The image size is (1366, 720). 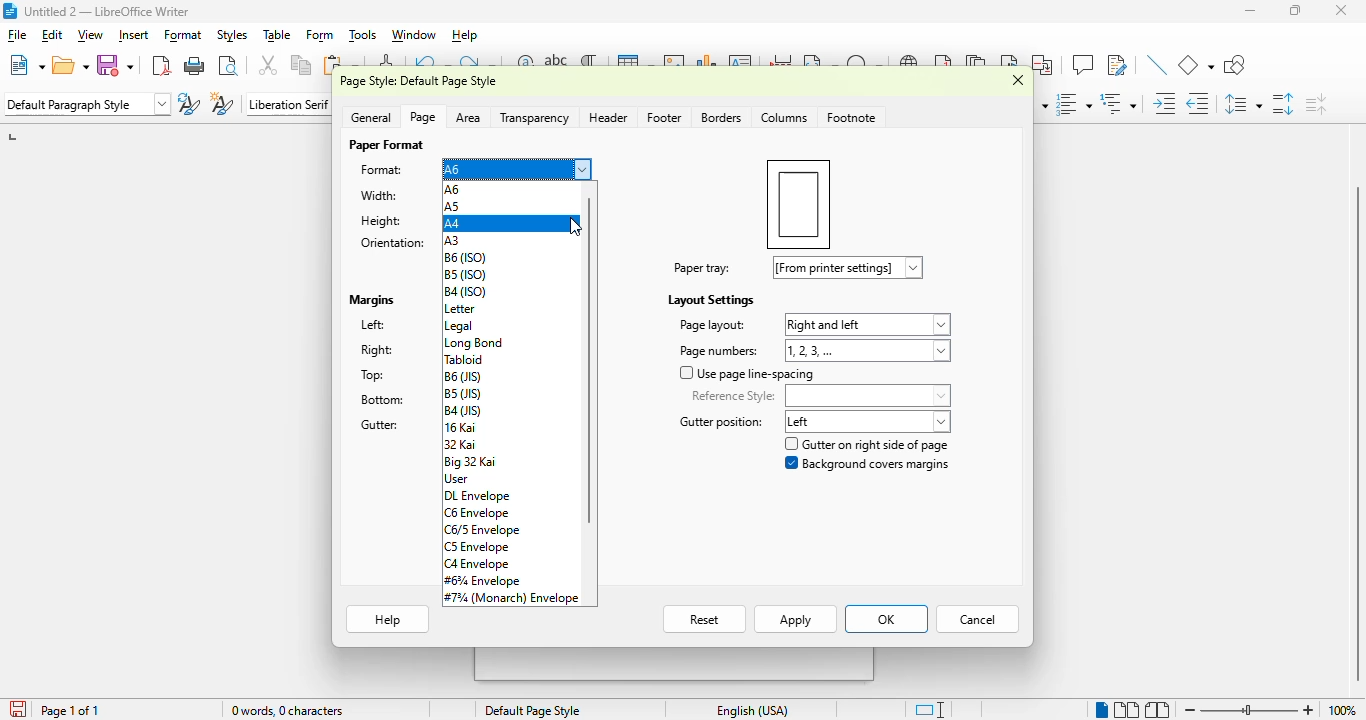 What do you see at coordinates (474, 343) in the screenshot?
I see `long bond` at bounding box center [474, 343].